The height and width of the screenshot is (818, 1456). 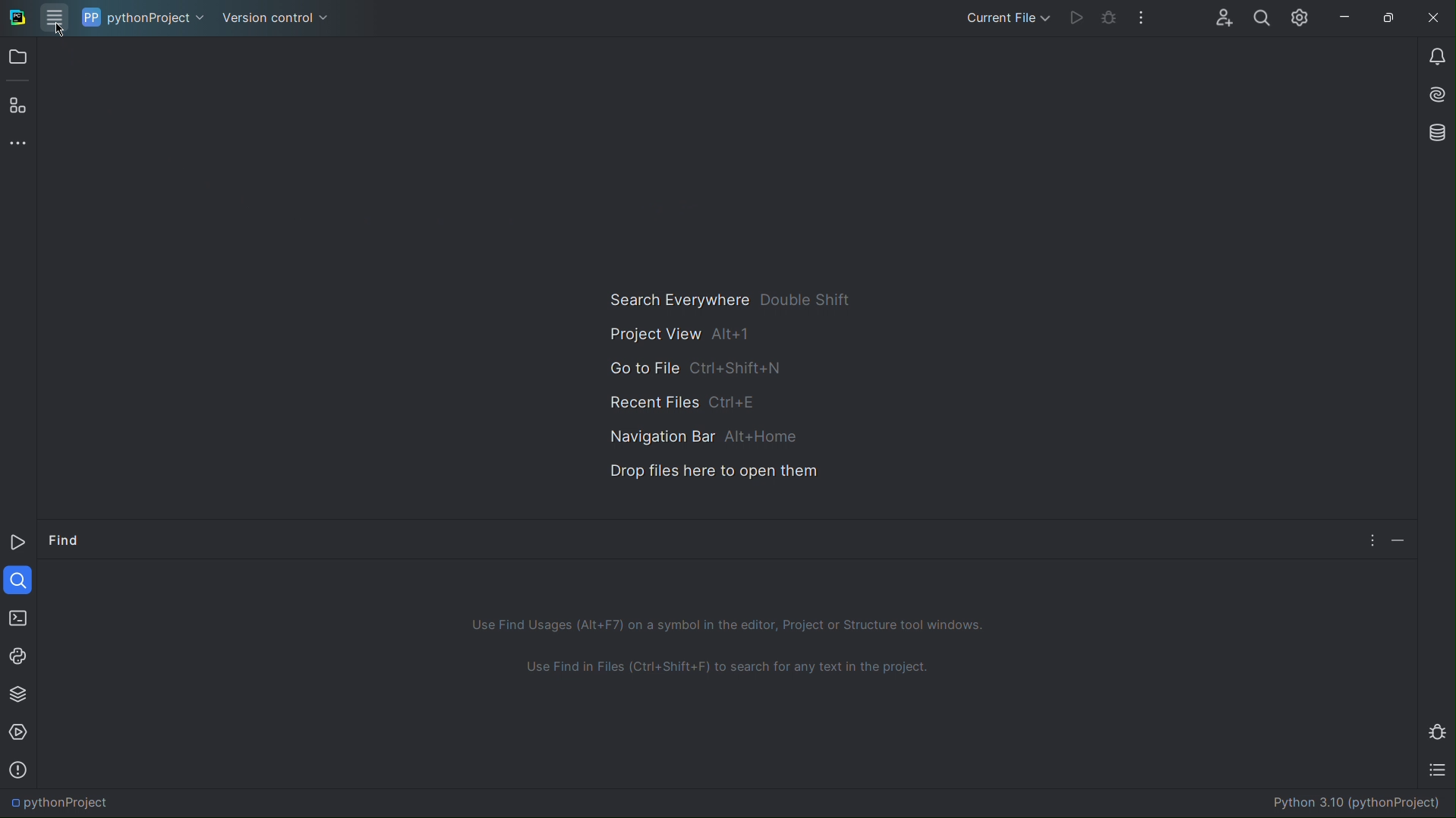 What do you see at coordinates (17, 60) in the screenshot?
I see `Open` at bounding box center [17, 60].